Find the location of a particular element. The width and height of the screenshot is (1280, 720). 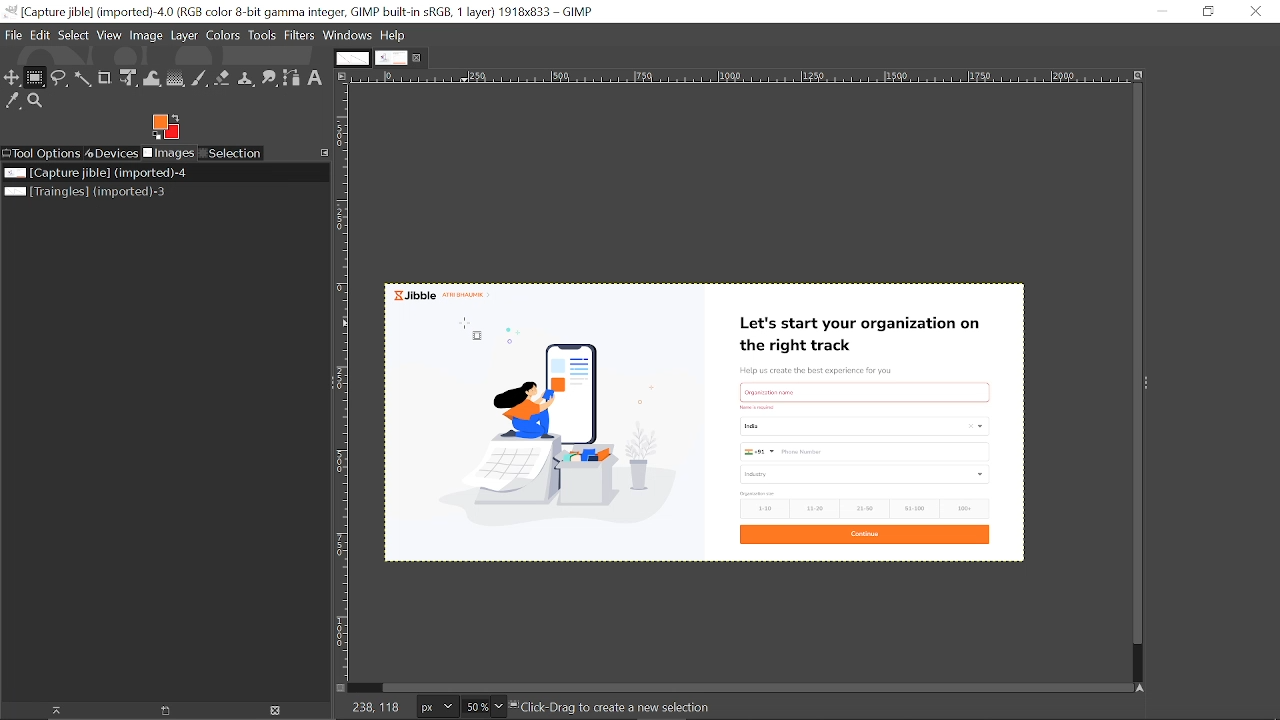

unified transform tool is located at coordinates (126, 78).